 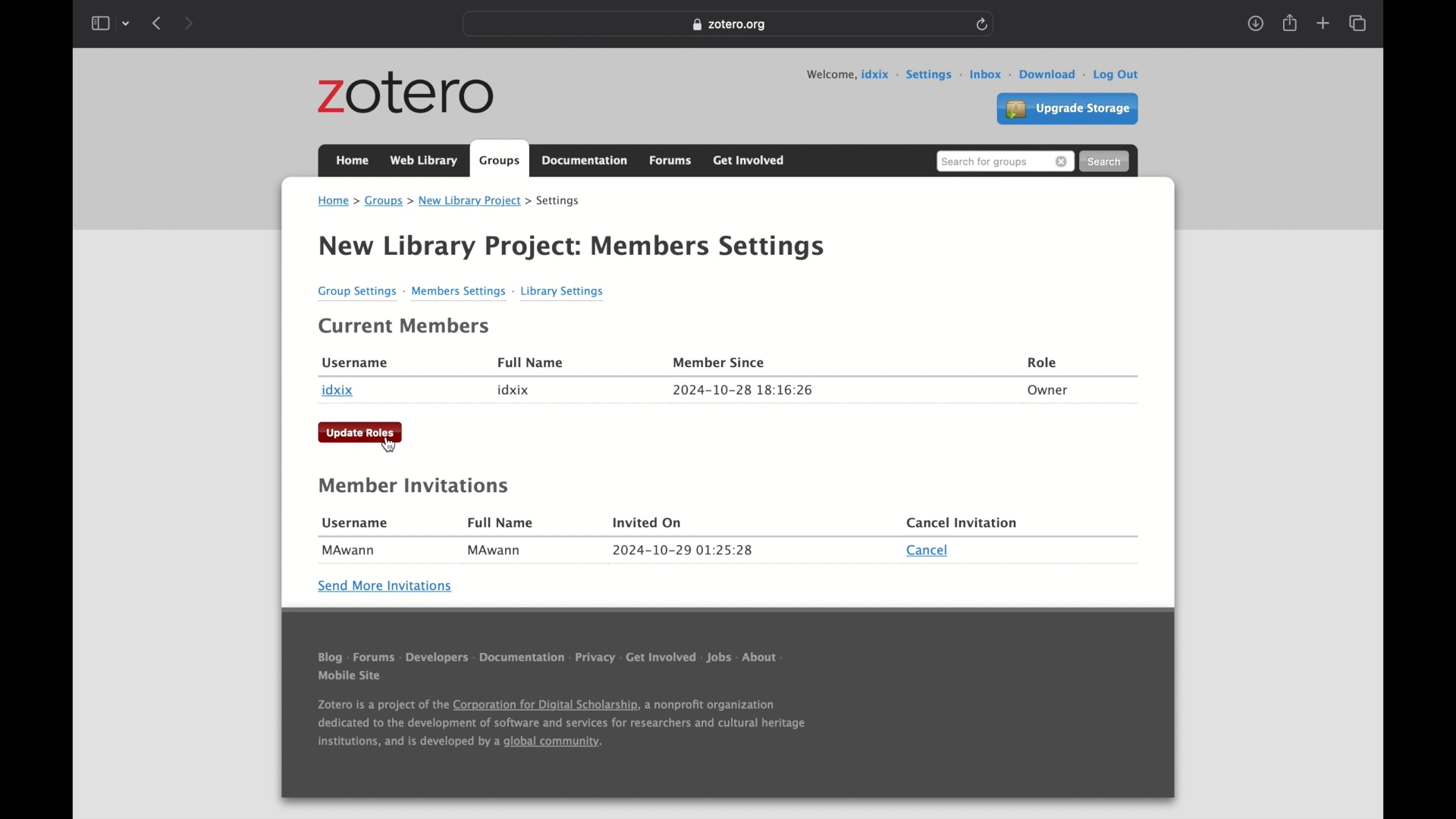 What do you see at coordinates (352, 160) in the screenshot?
I see `home` at bounding box center [352, 160].